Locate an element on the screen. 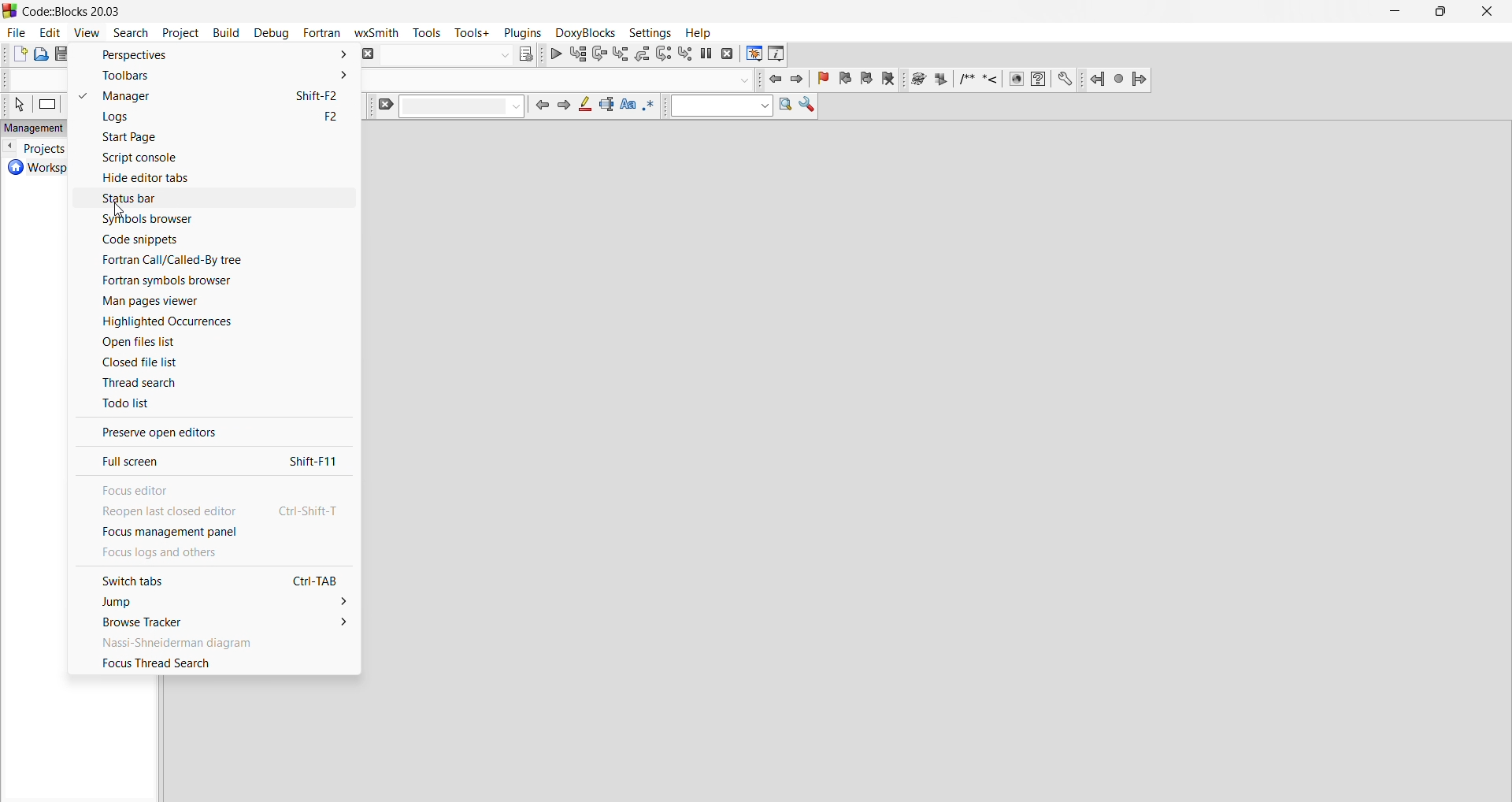 This screenshot has width=1512, height=802. clear is located at coordinates (450, 106).